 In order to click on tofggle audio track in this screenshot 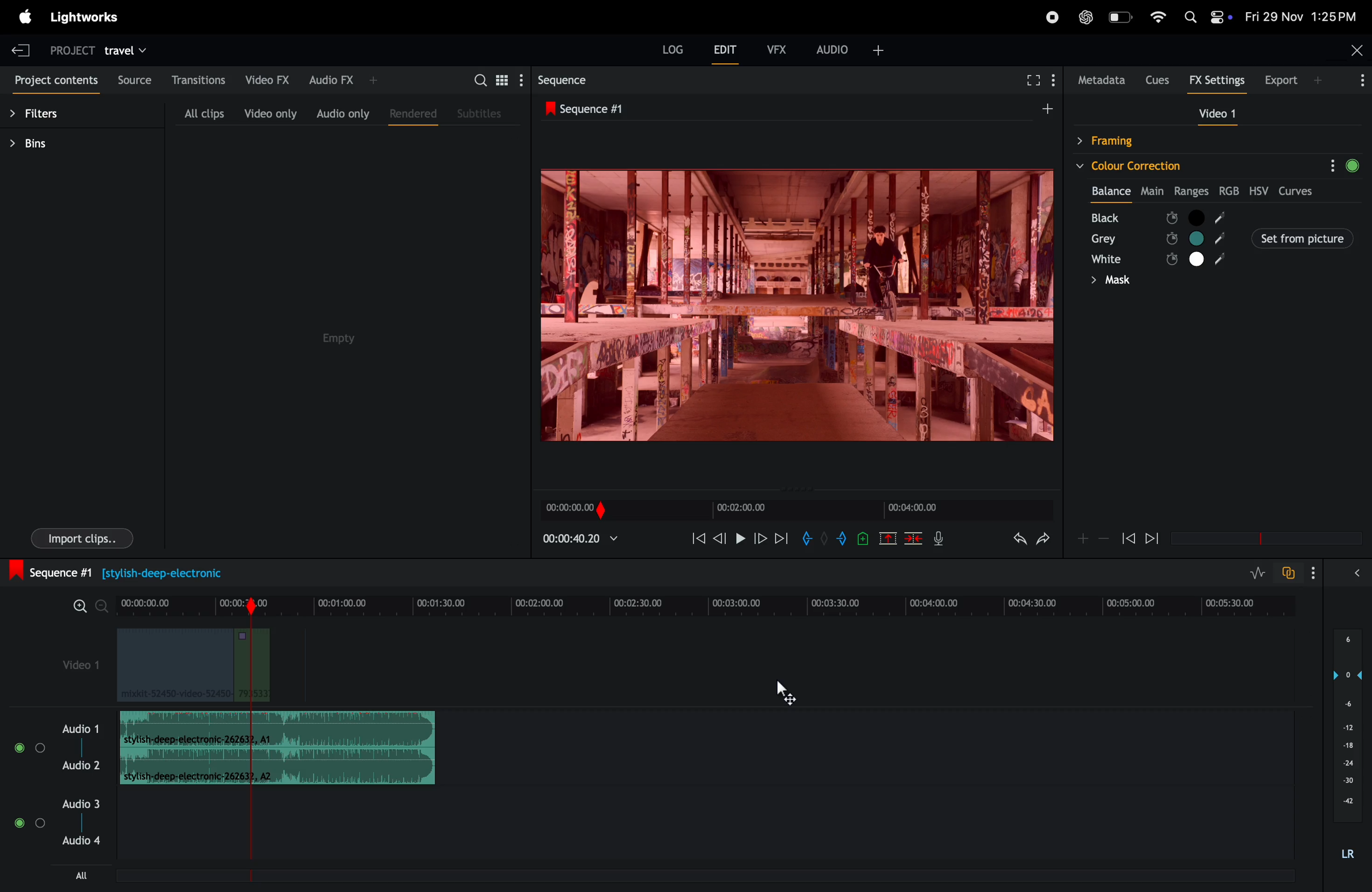, I will do `click(1287, 573)`.